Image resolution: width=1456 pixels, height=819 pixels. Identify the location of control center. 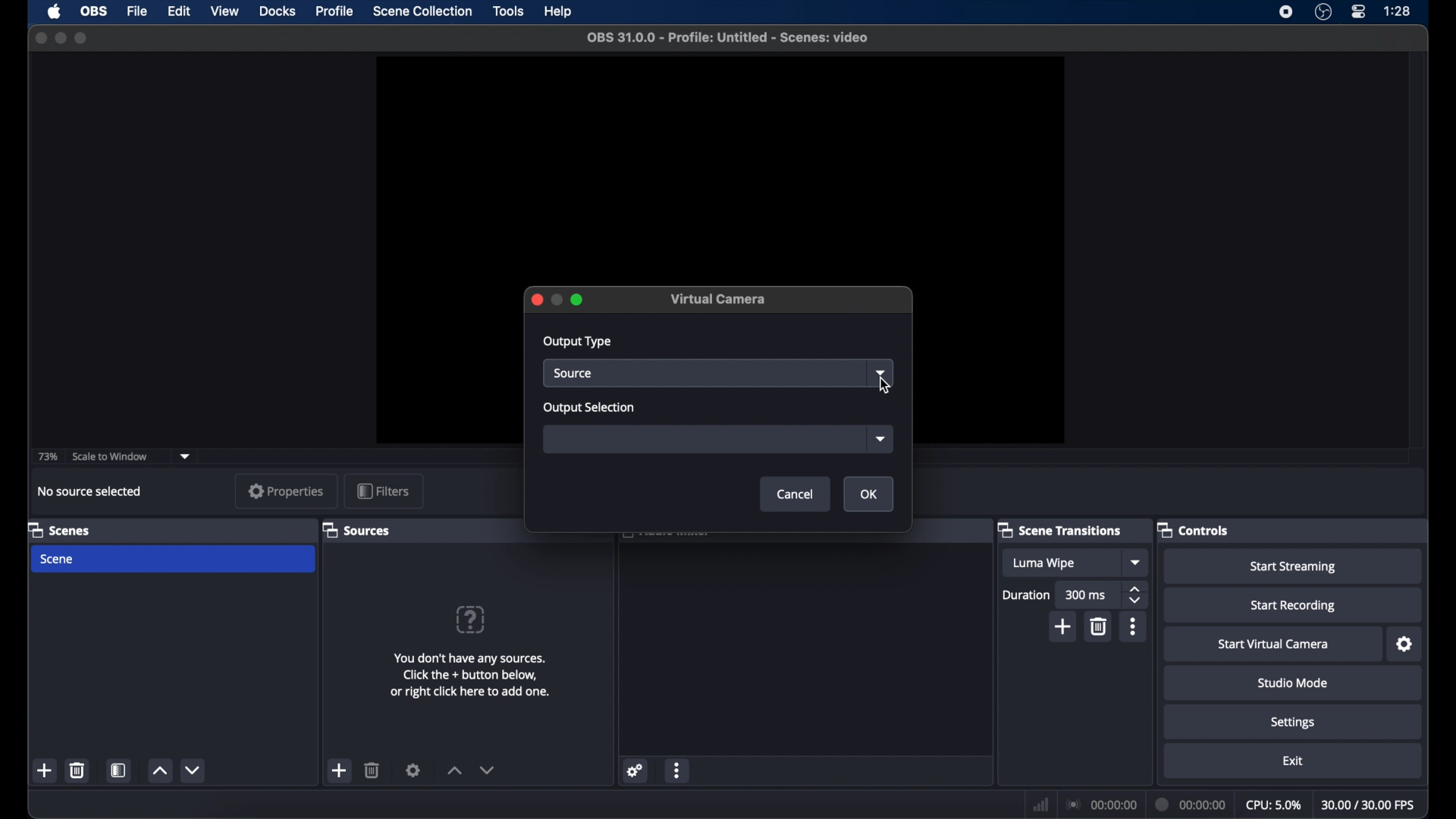
(1359, 12).